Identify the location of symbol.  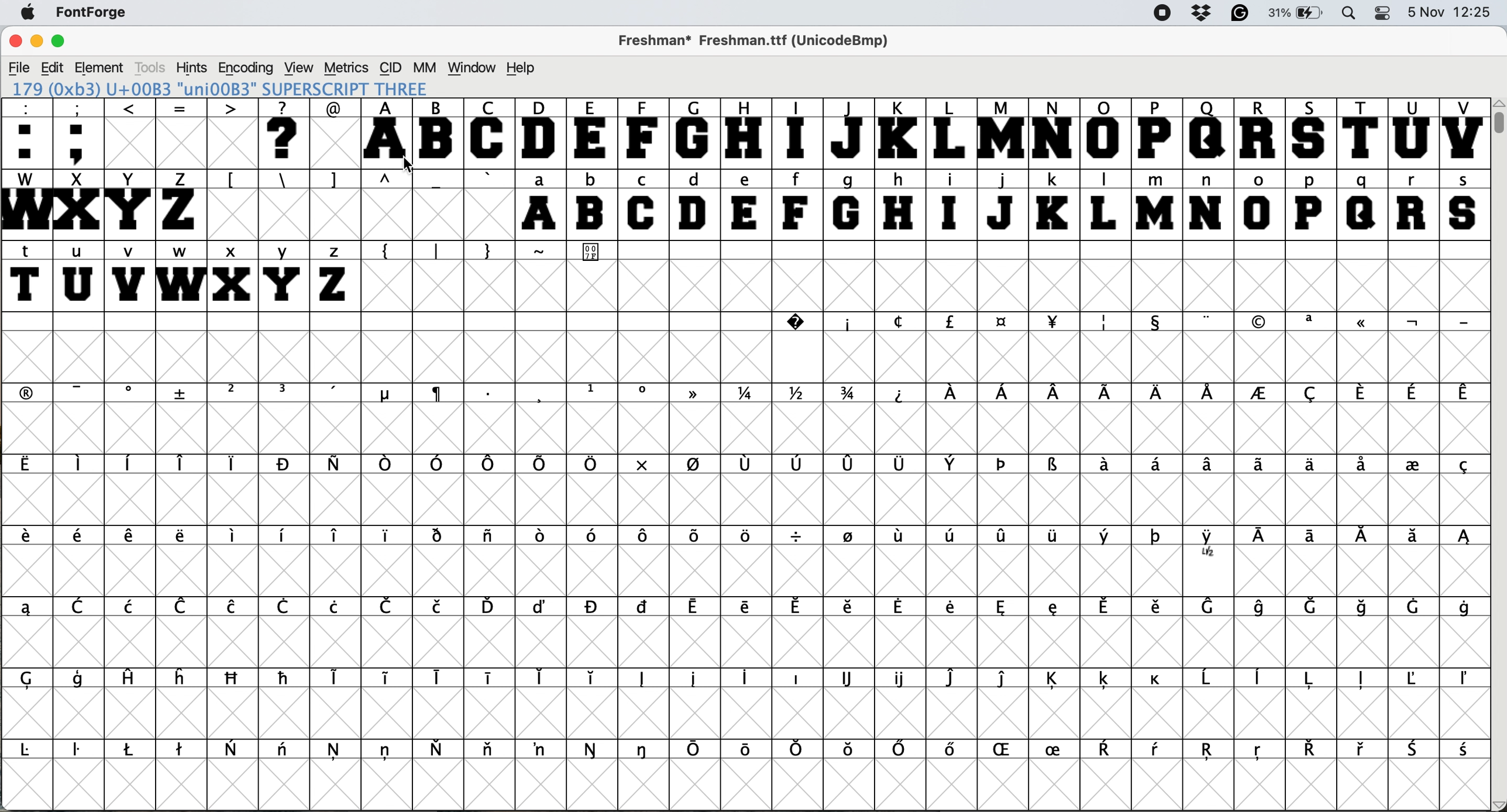
(1416, 749).